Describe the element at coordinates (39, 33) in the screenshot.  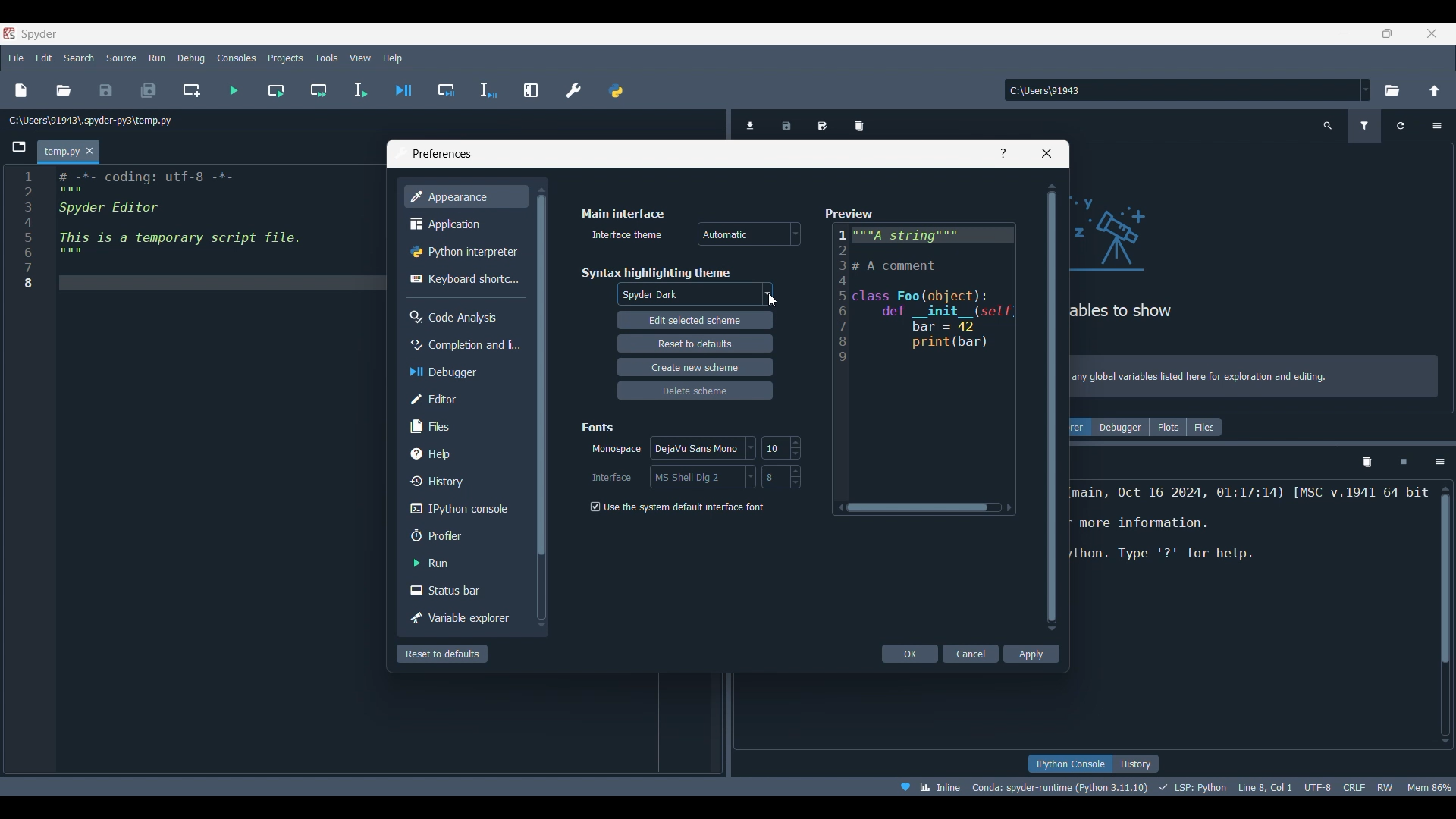
I see `Software name` at that location.